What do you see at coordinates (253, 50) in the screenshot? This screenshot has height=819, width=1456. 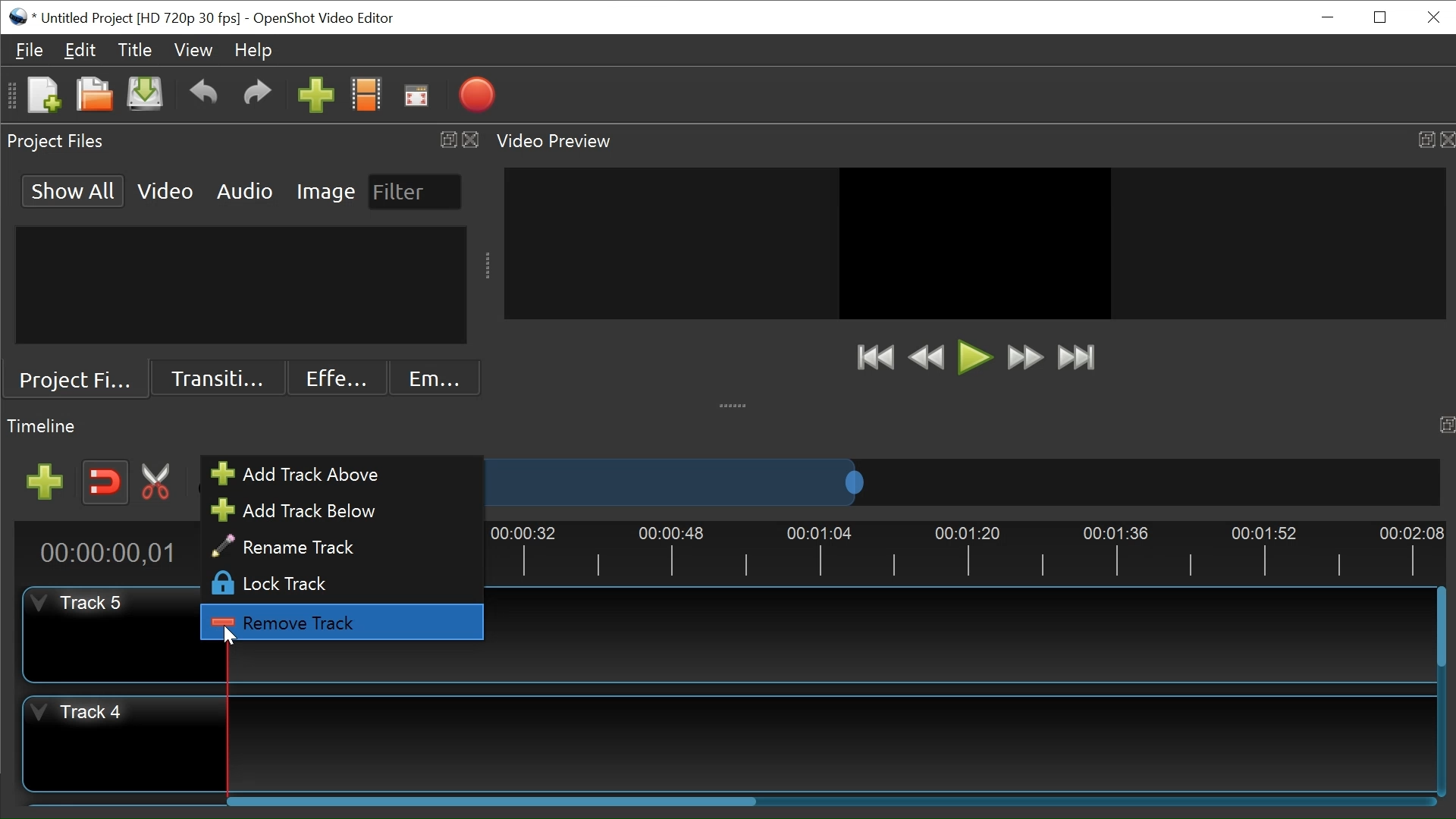 I see `Help` at bounding box center [253, 50].